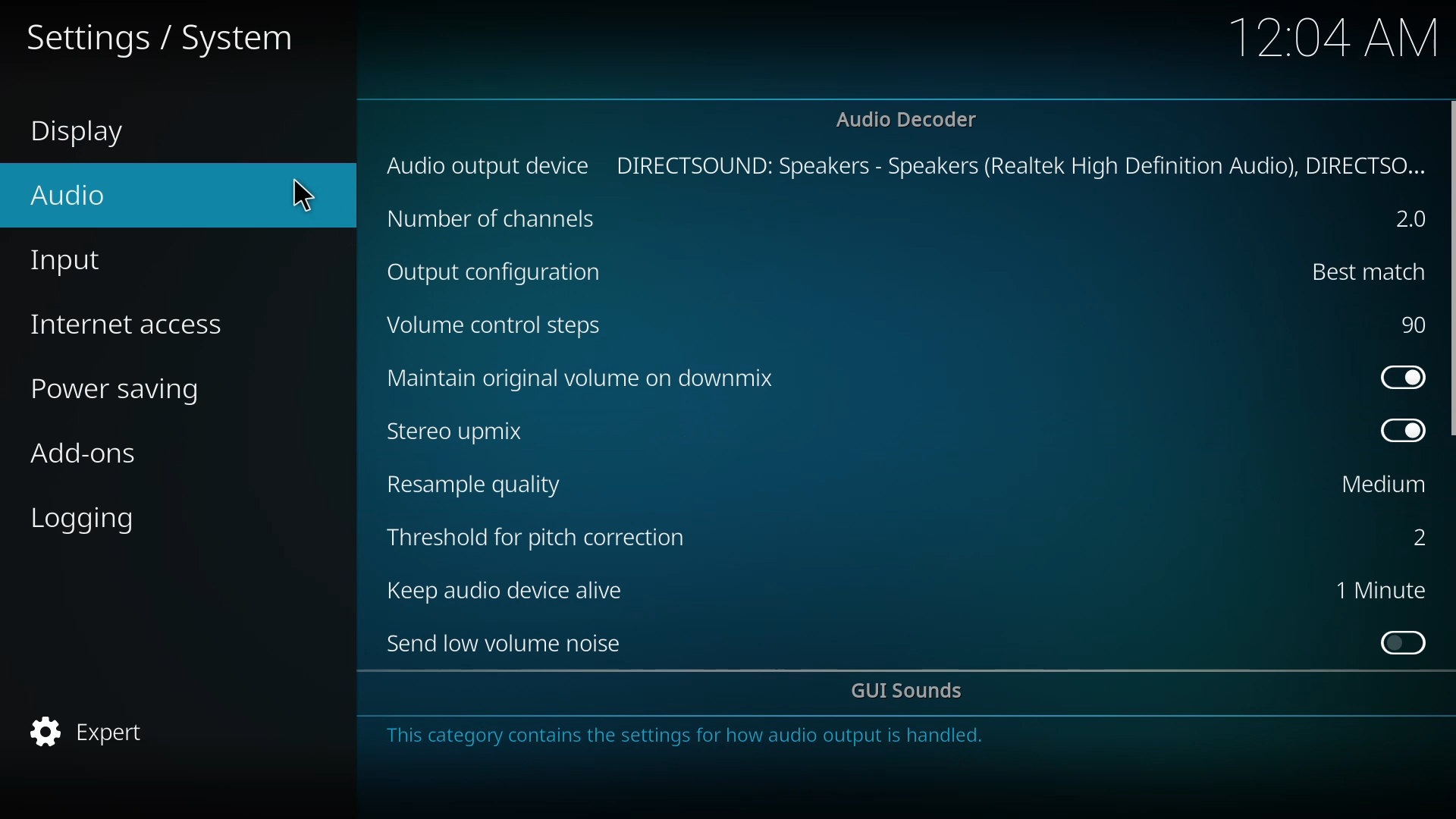 The height and width of the screenshot is (819, 1456). I want to click on info, so click(695, 738).